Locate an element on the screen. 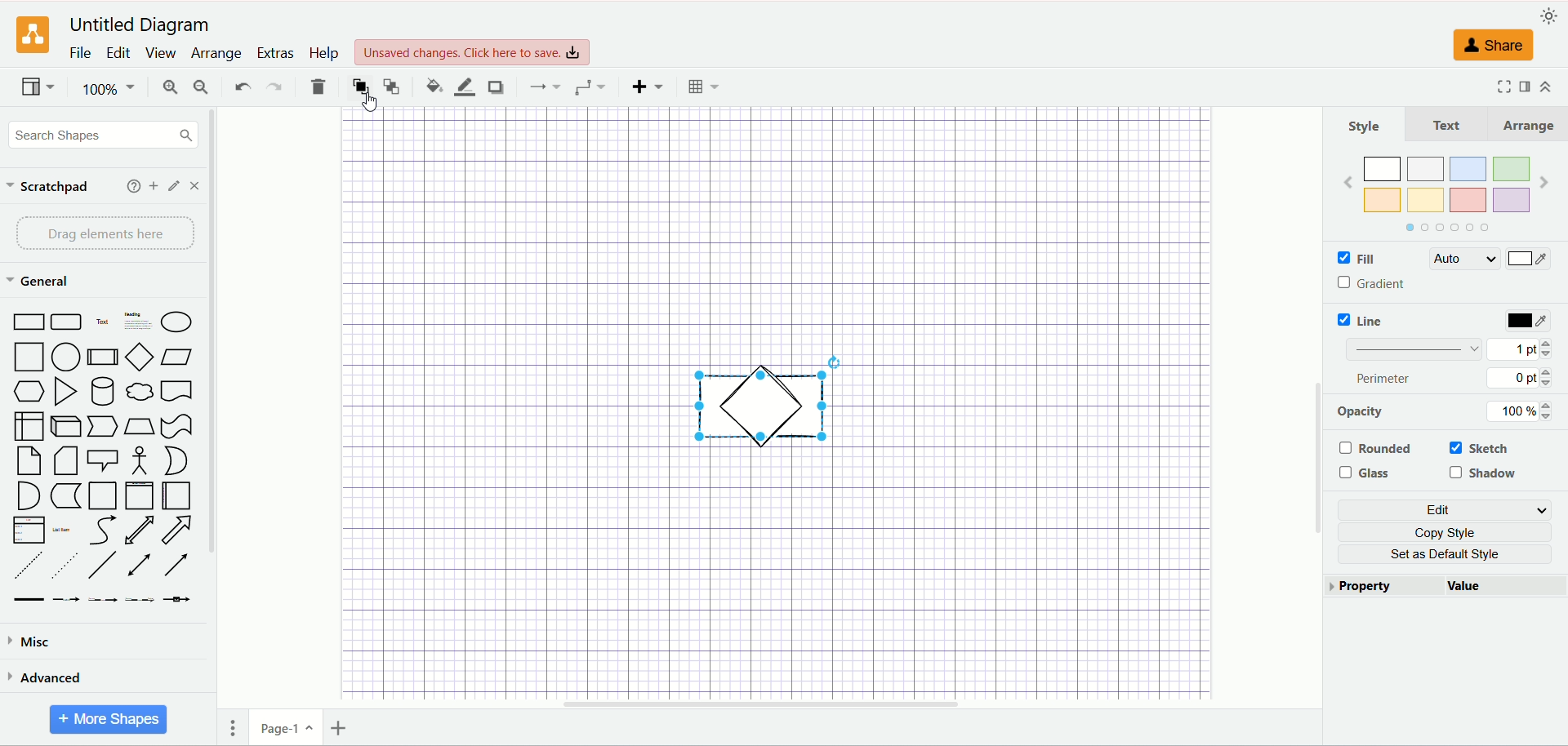  Circle is located at coordinates (65, 357).